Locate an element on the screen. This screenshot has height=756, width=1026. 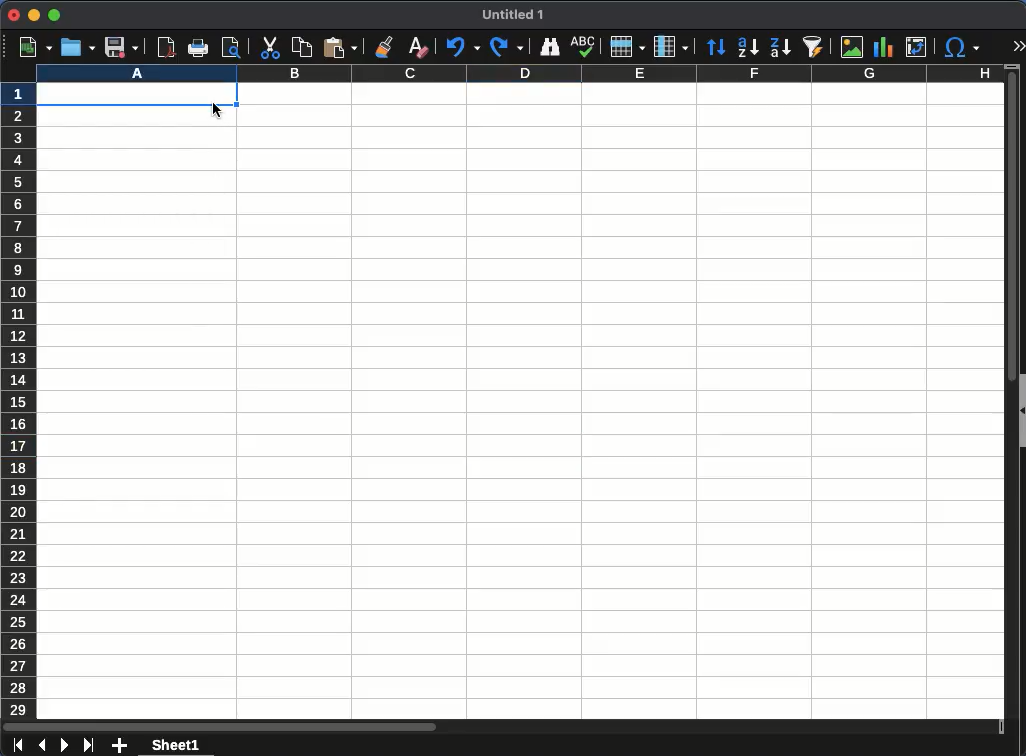
finder is located at coordinates (552, 47).